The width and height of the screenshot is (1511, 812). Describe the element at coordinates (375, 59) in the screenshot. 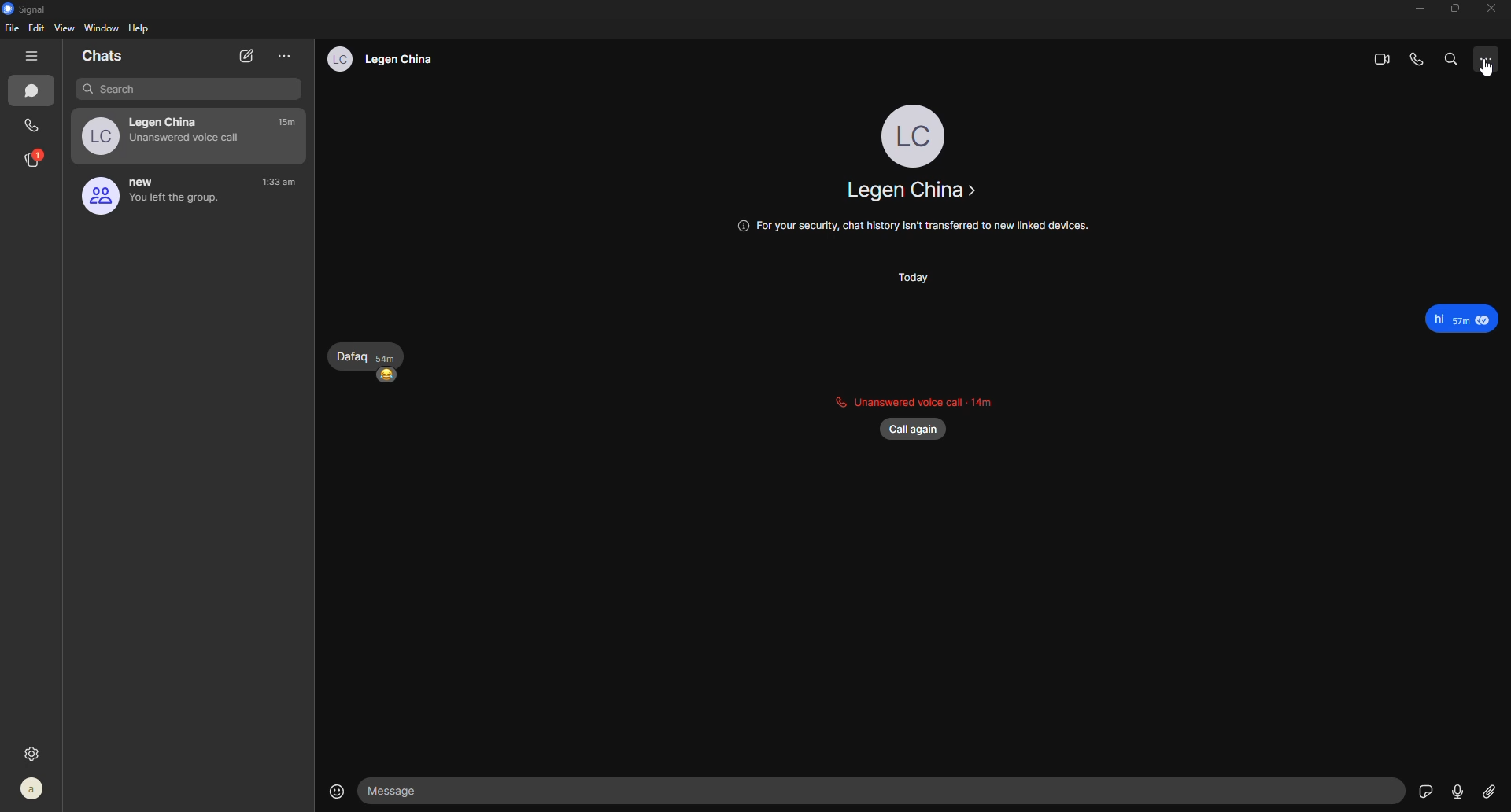

I see `® Legen China` at that location.